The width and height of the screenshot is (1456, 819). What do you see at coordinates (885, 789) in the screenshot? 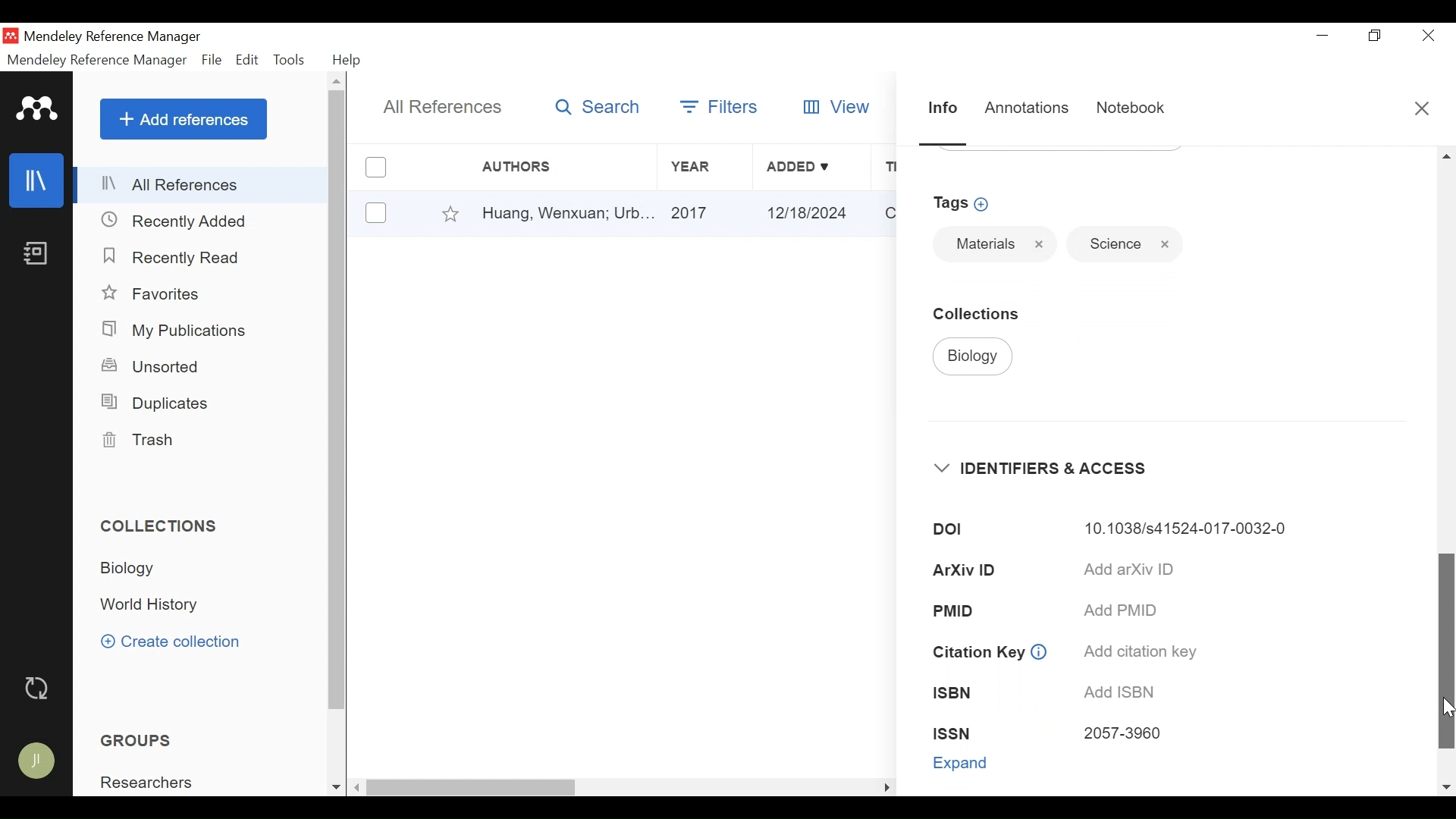
I see `Scroll Rigt` at bounding box center [885, 789].